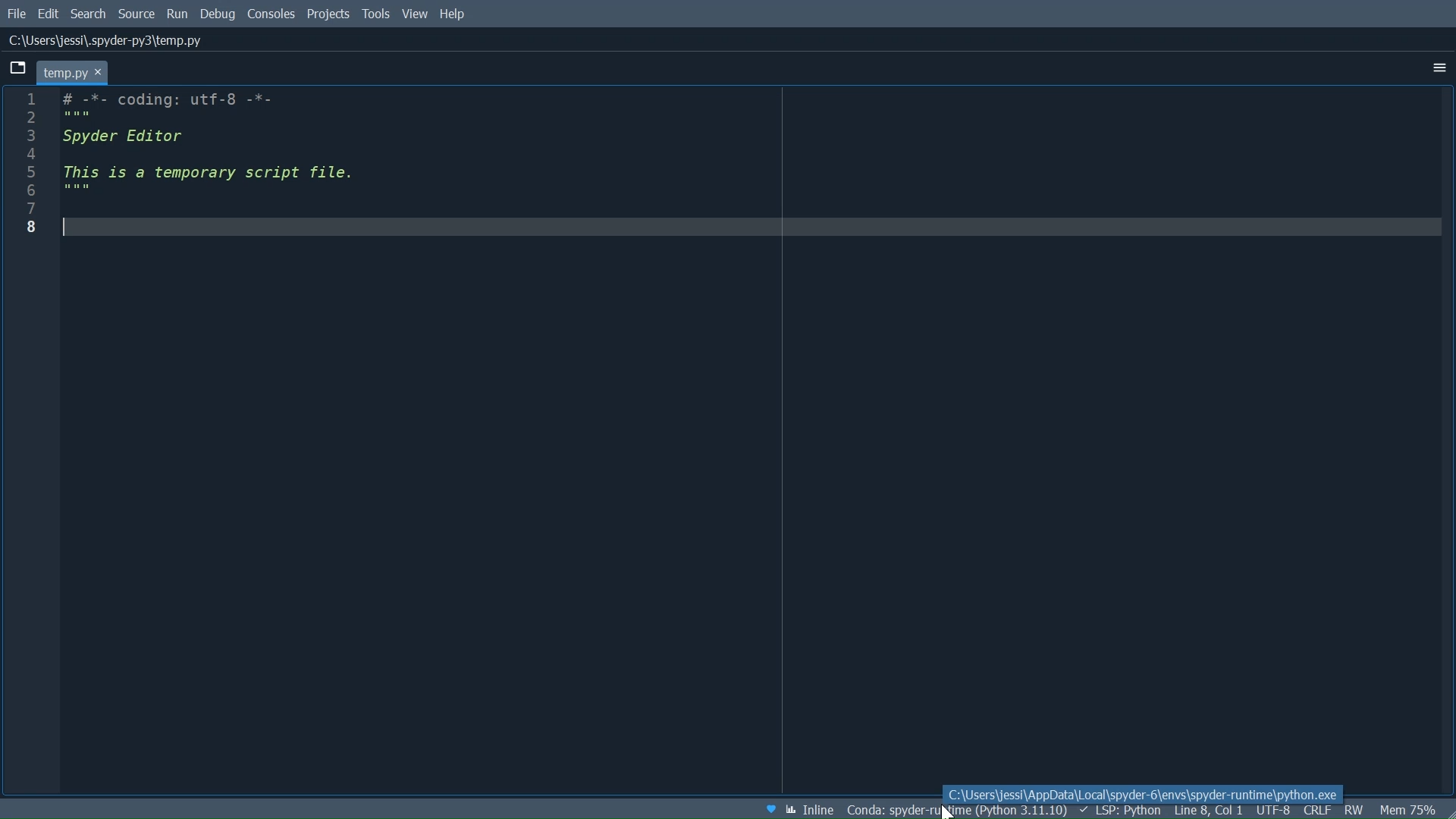 The height and width of the screenshot is (819, 1456). What do you see at coordinates (71, 73) in the screenshot?
I see `Current tab` at bounding box center [71, 73].